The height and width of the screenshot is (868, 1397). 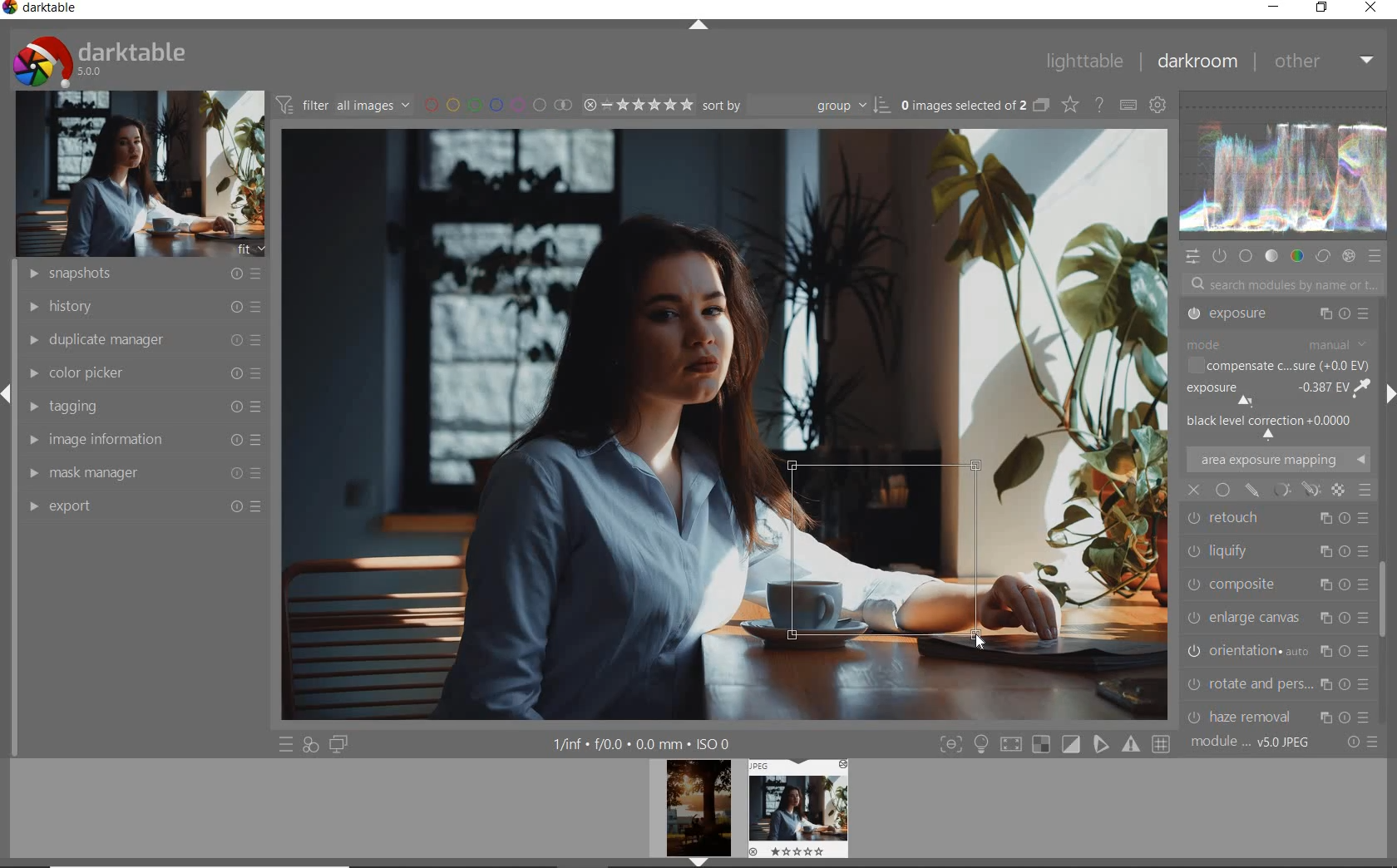 What do you see at coordinates (146, 370) in the screenshot?
I see `COLOR PICKER` at bounding box center [146, 370].